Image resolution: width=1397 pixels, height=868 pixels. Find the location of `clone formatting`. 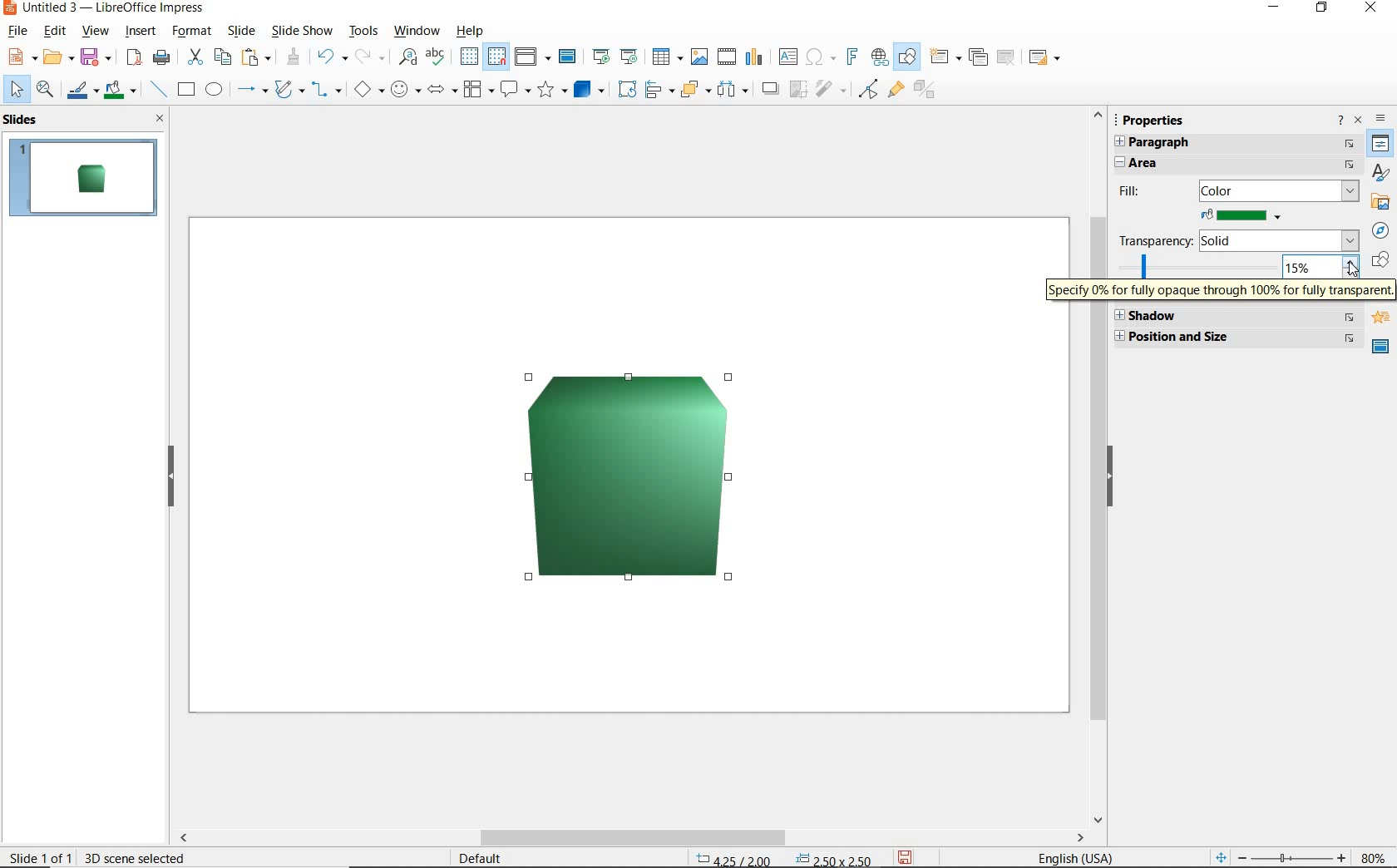

clone formatting is located at coordinates (294, 56).